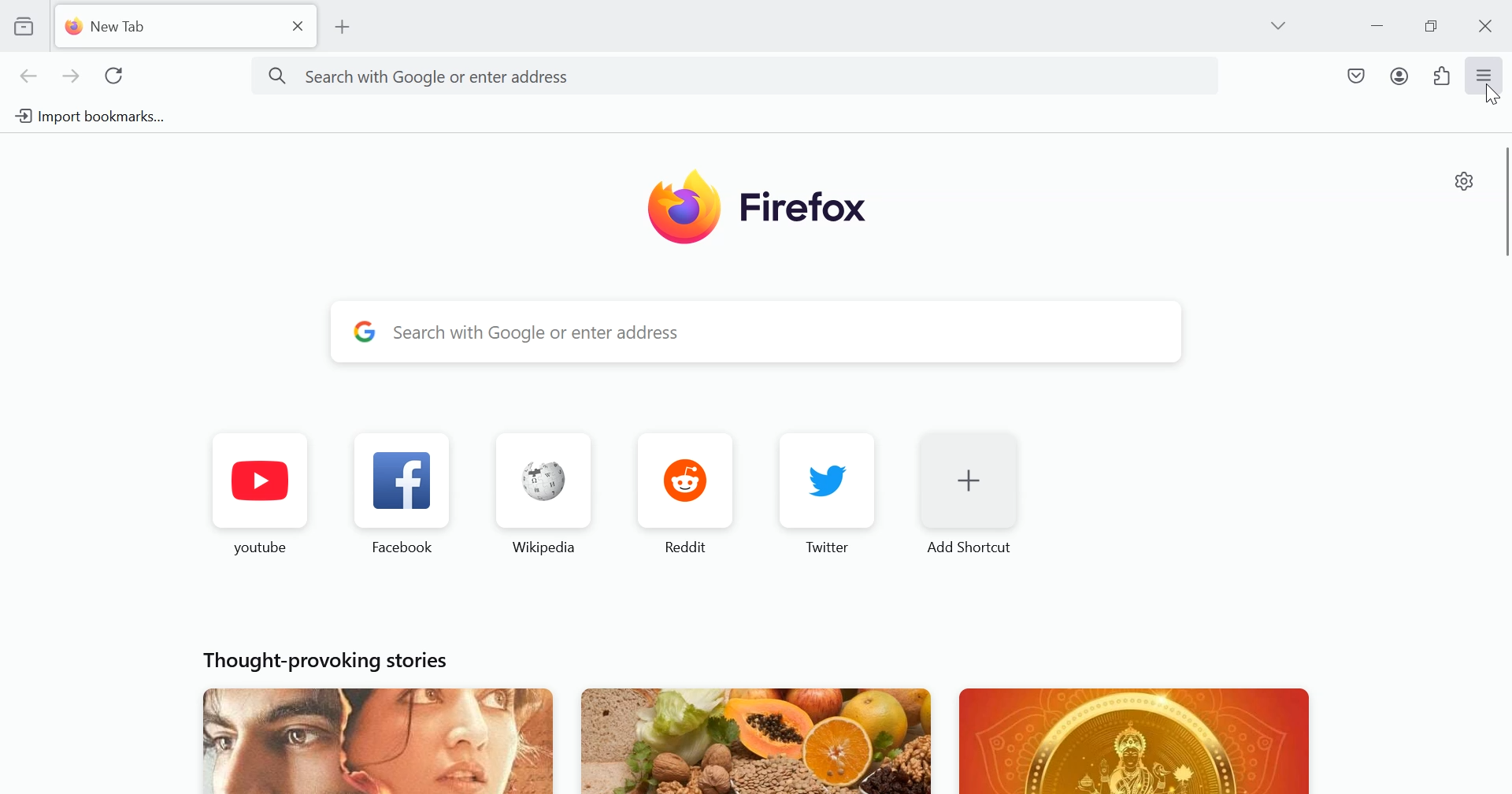 Image resolution: width=1512 pixels, height=794 pixels. Describe the element at coordinates (684, 493) in the screenshot. I see `Reddit` at that location.